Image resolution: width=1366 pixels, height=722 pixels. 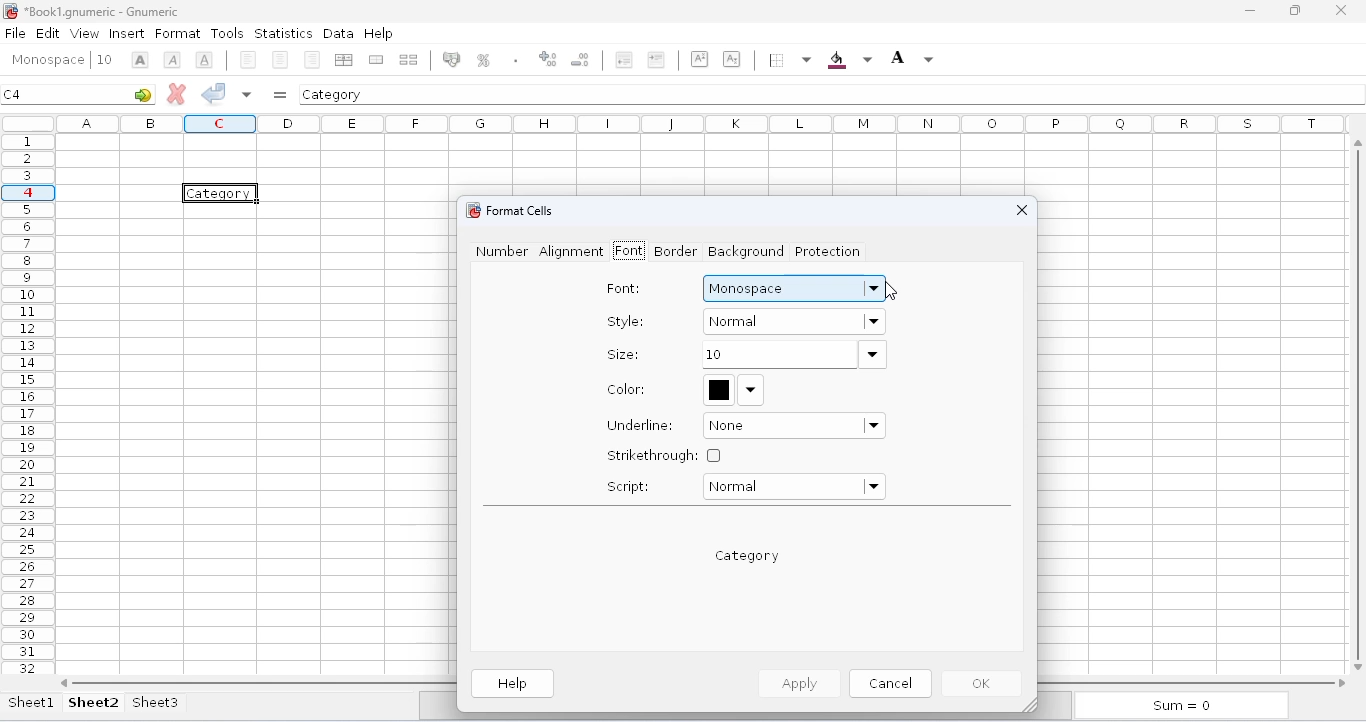 I want to click on title, so click(x=102, y=11).